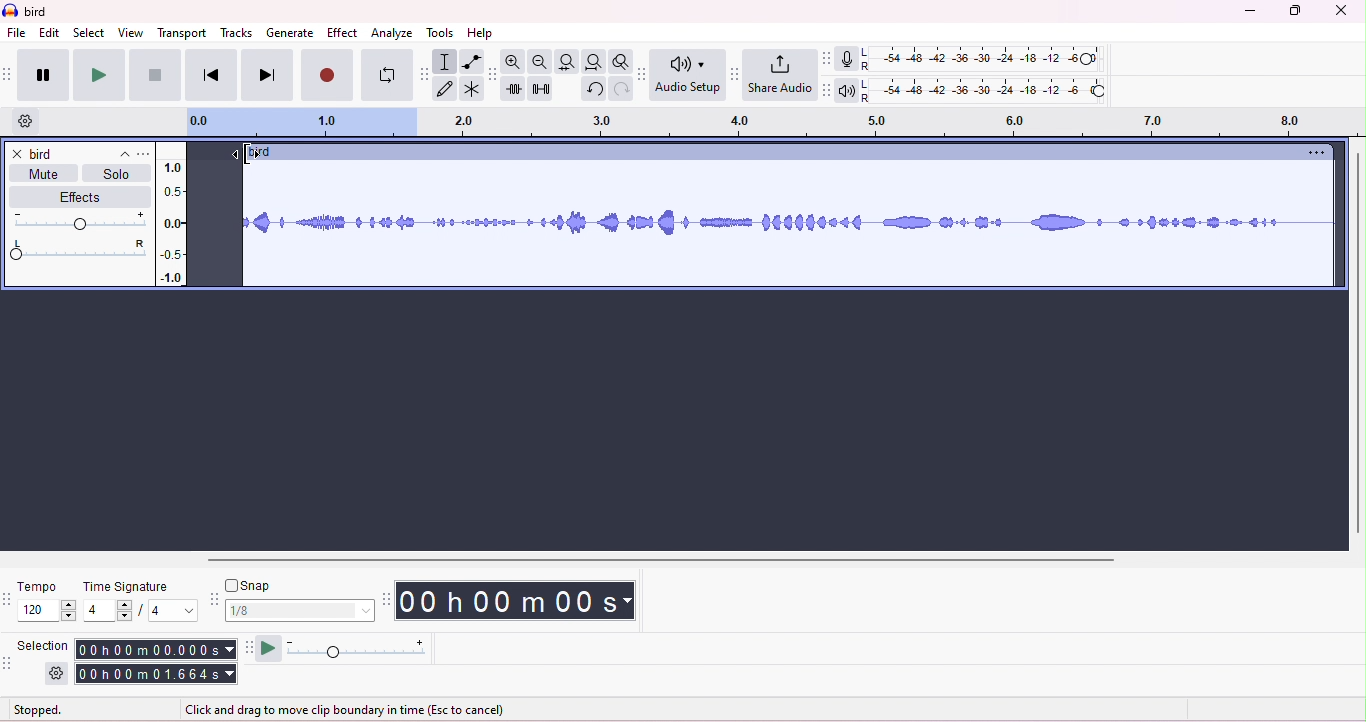 The width and height of the screenshot is (1366, 722). Describe the element at coordinates (154, 75) in the screenshot. I see `stop` at that location.